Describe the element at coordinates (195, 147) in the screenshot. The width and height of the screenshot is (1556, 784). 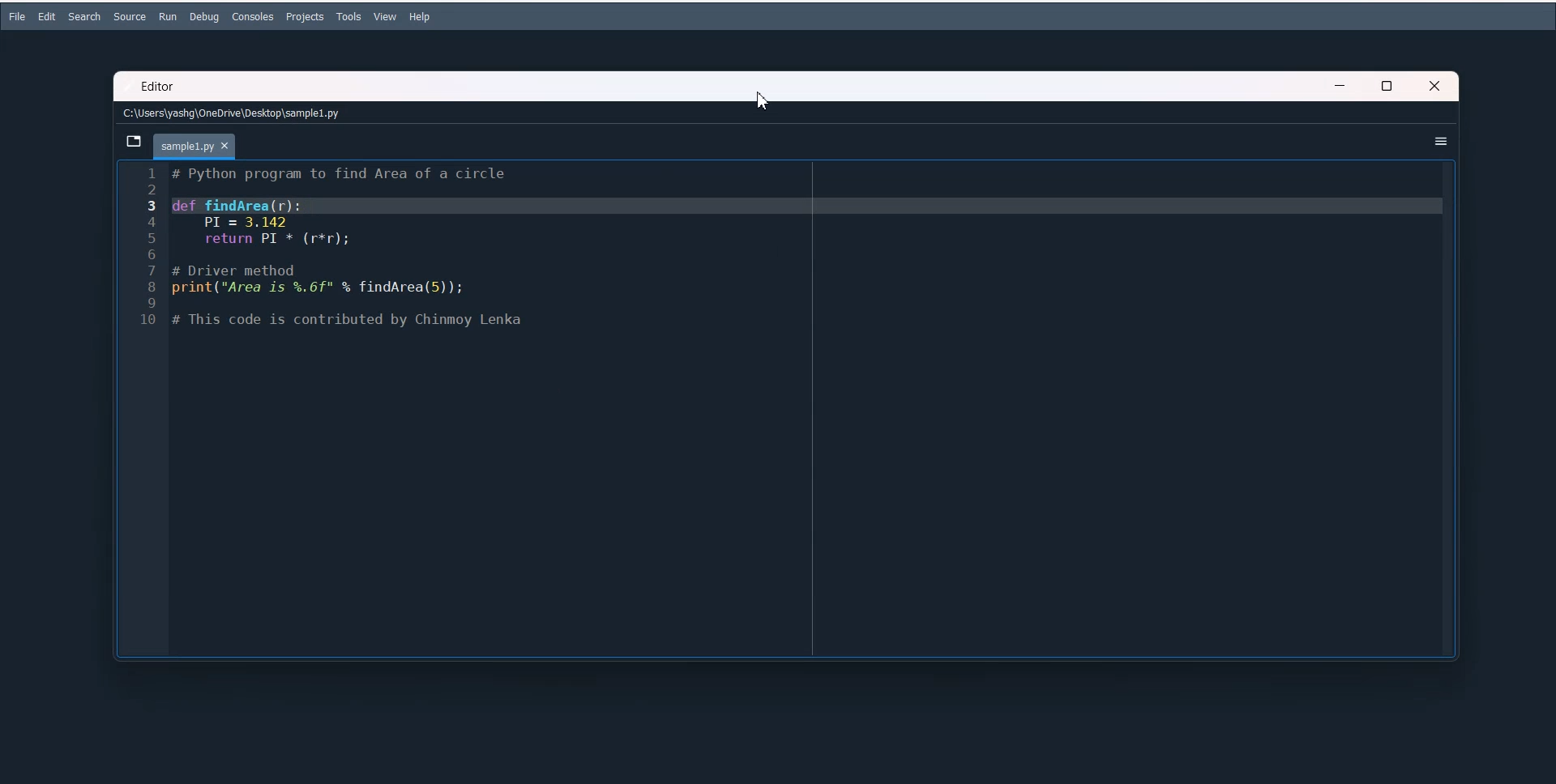
I see `Current file tab` at that location.